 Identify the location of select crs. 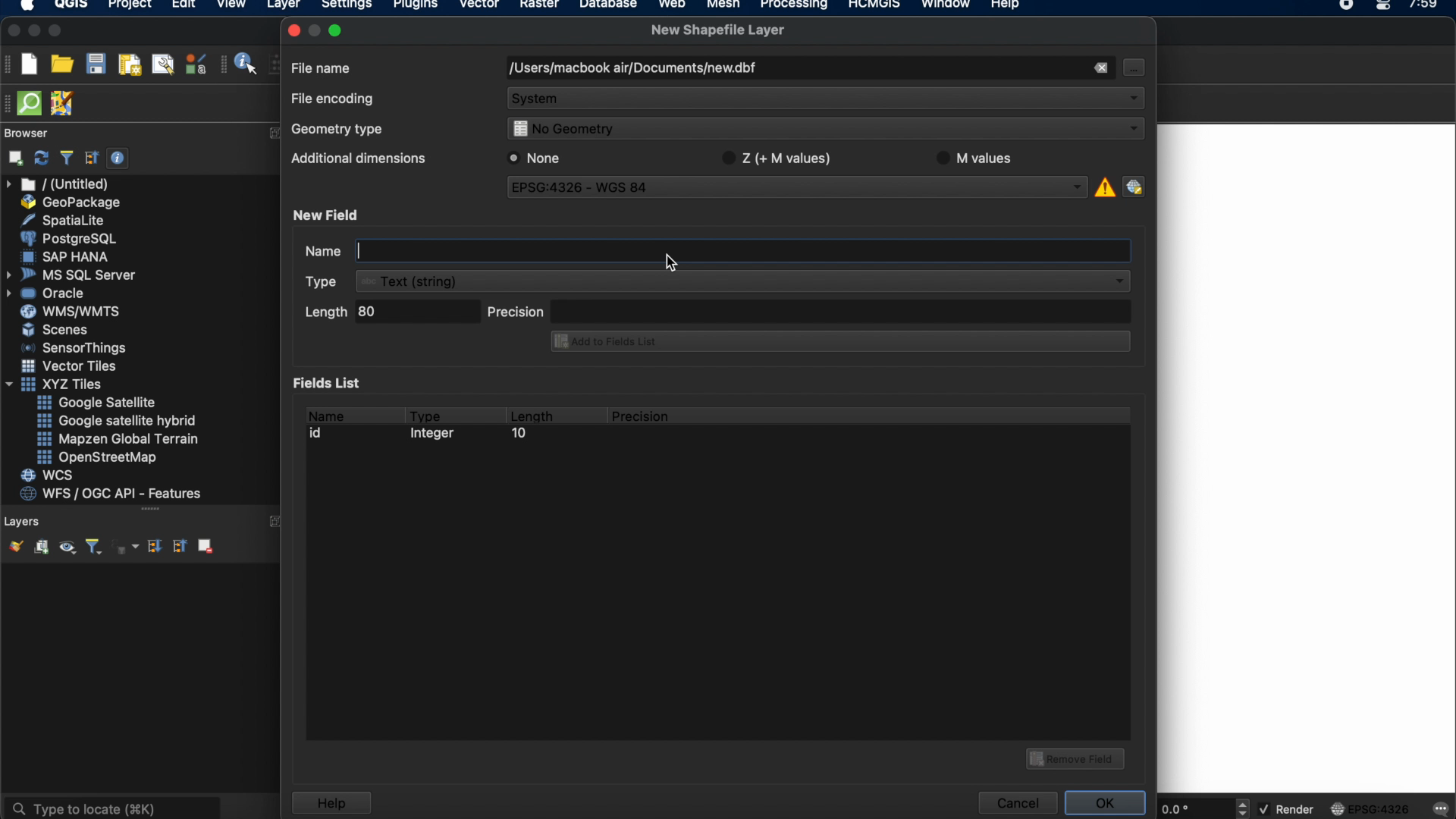
(1134, 186).